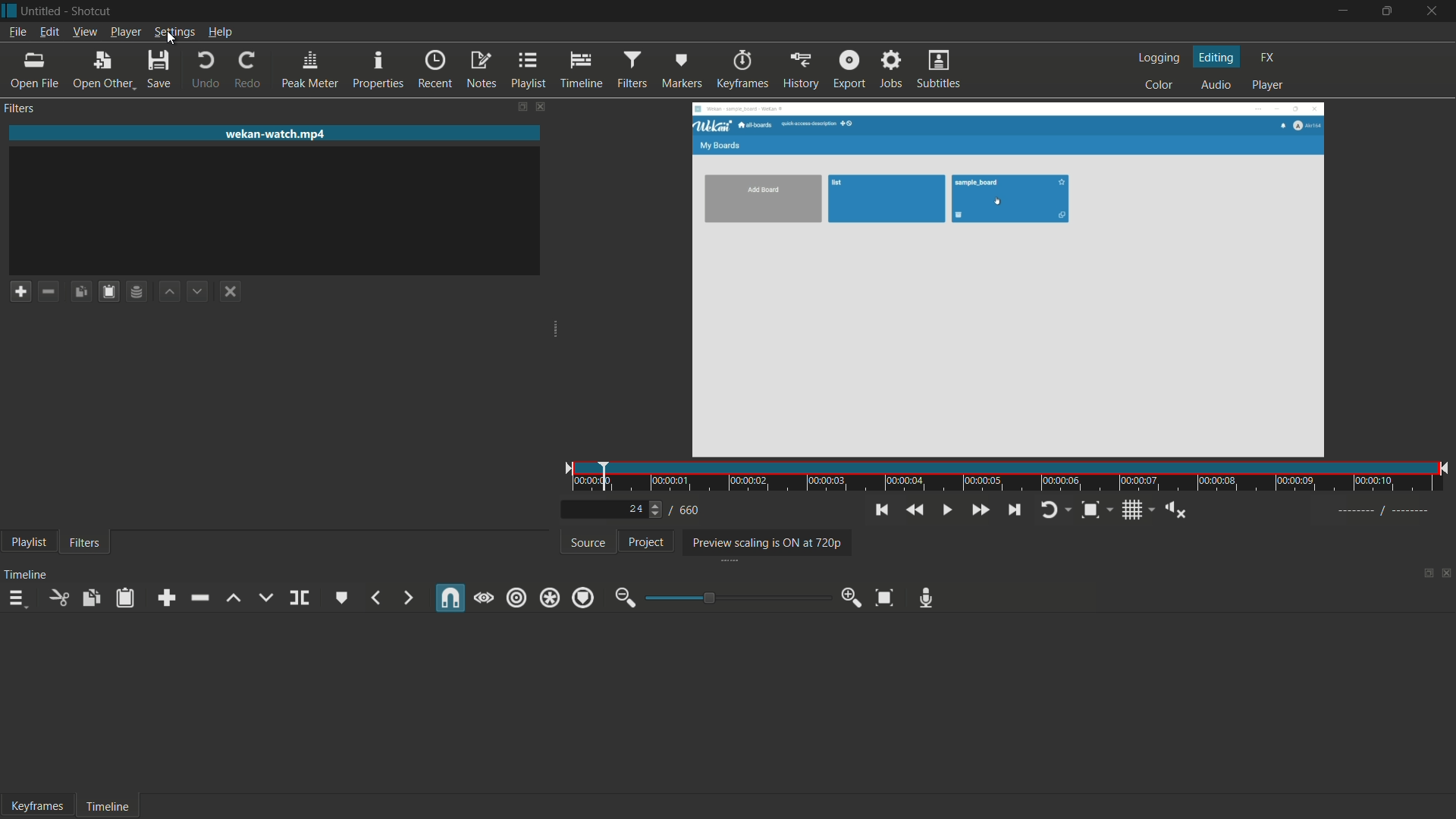 This screenshot has width=1456, height=819. Describe the element at coordinates (484, 598) in the screenshot. I see `scrub while dragging` at that location.